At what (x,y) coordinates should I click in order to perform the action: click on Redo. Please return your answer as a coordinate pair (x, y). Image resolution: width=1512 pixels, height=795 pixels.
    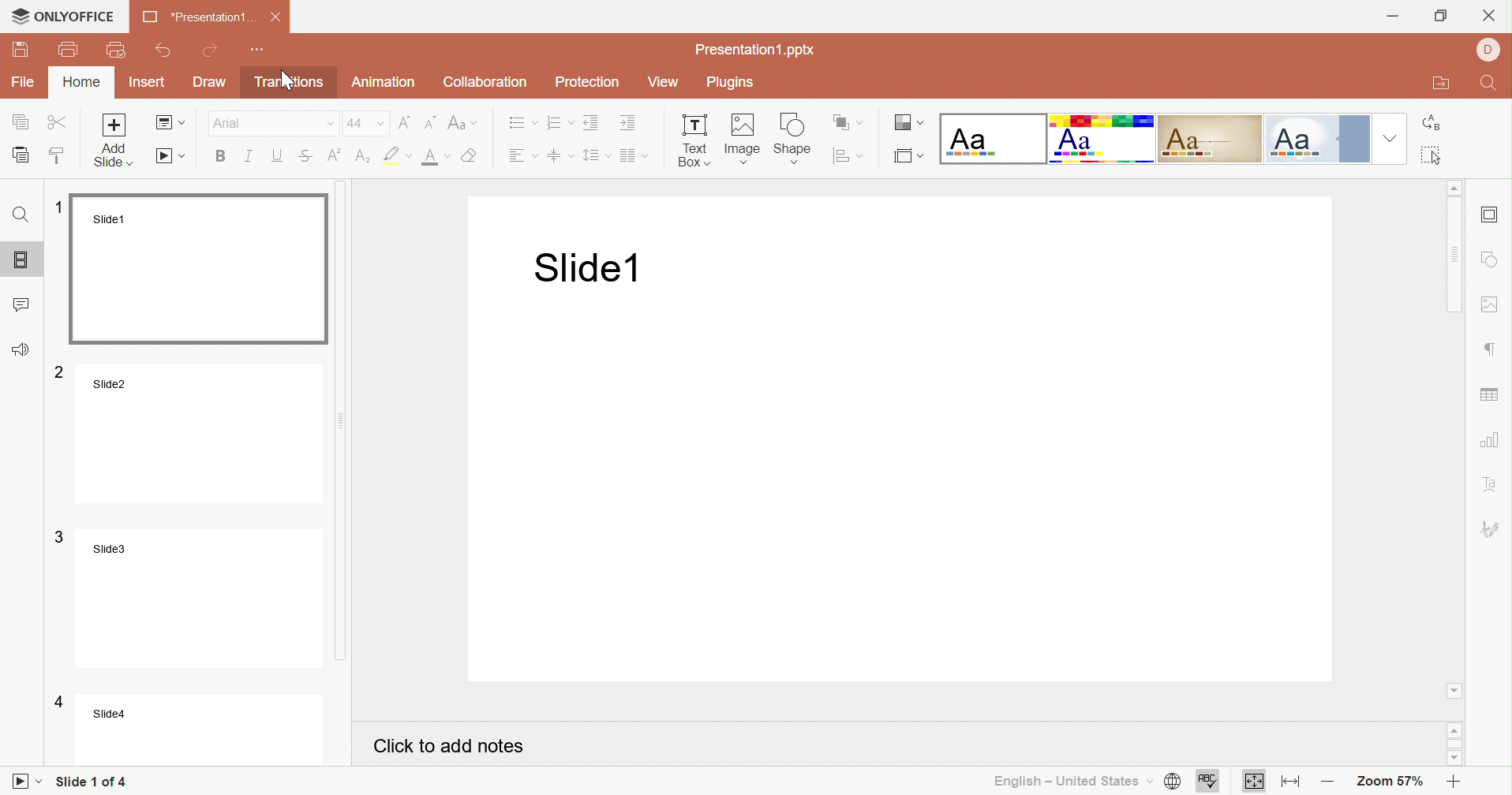
    Looking at the image, I should click on (213, 49).